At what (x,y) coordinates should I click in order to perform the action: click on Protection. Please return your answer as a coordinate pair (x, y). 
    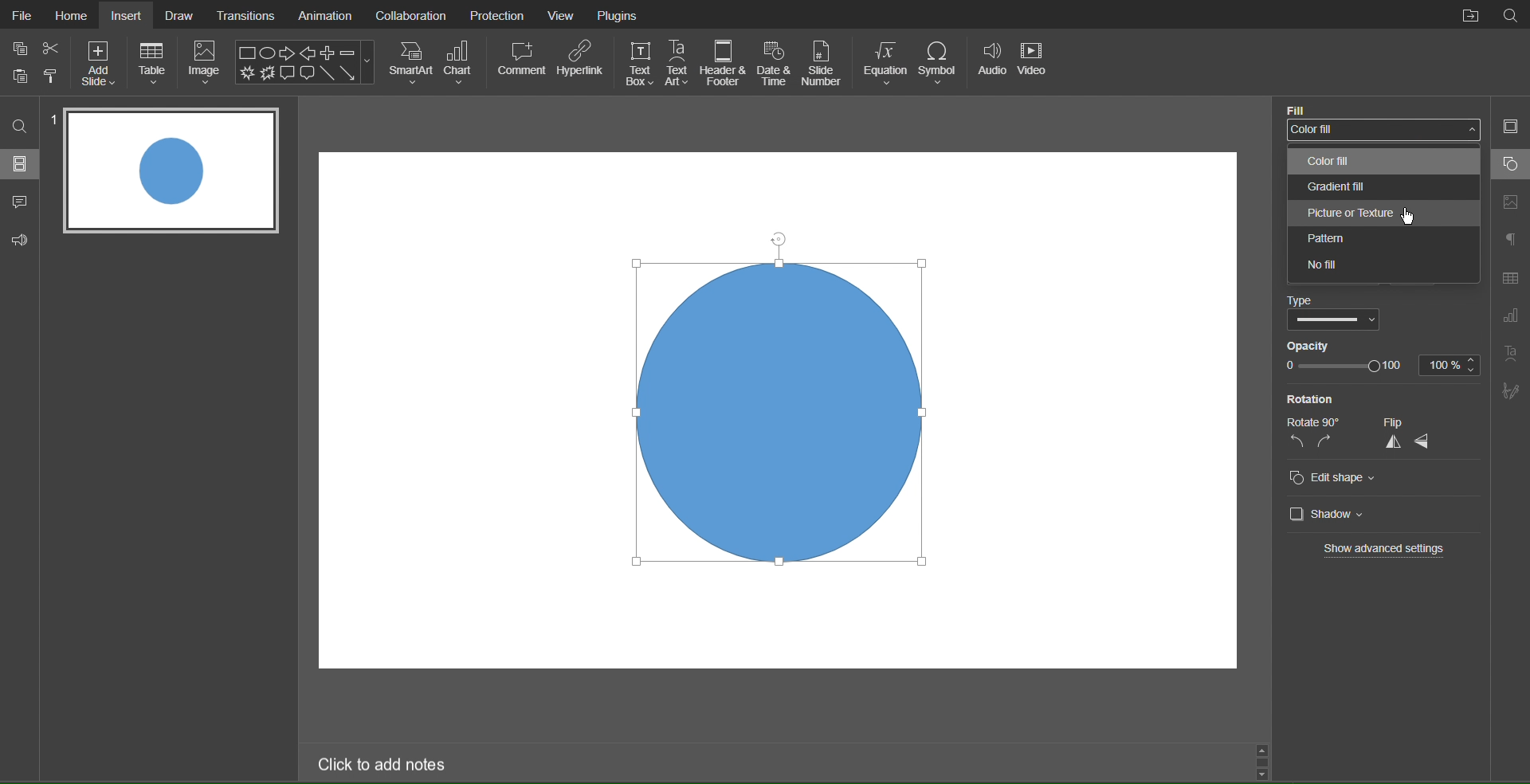
    Looking at the image, I should click on (498, 14).